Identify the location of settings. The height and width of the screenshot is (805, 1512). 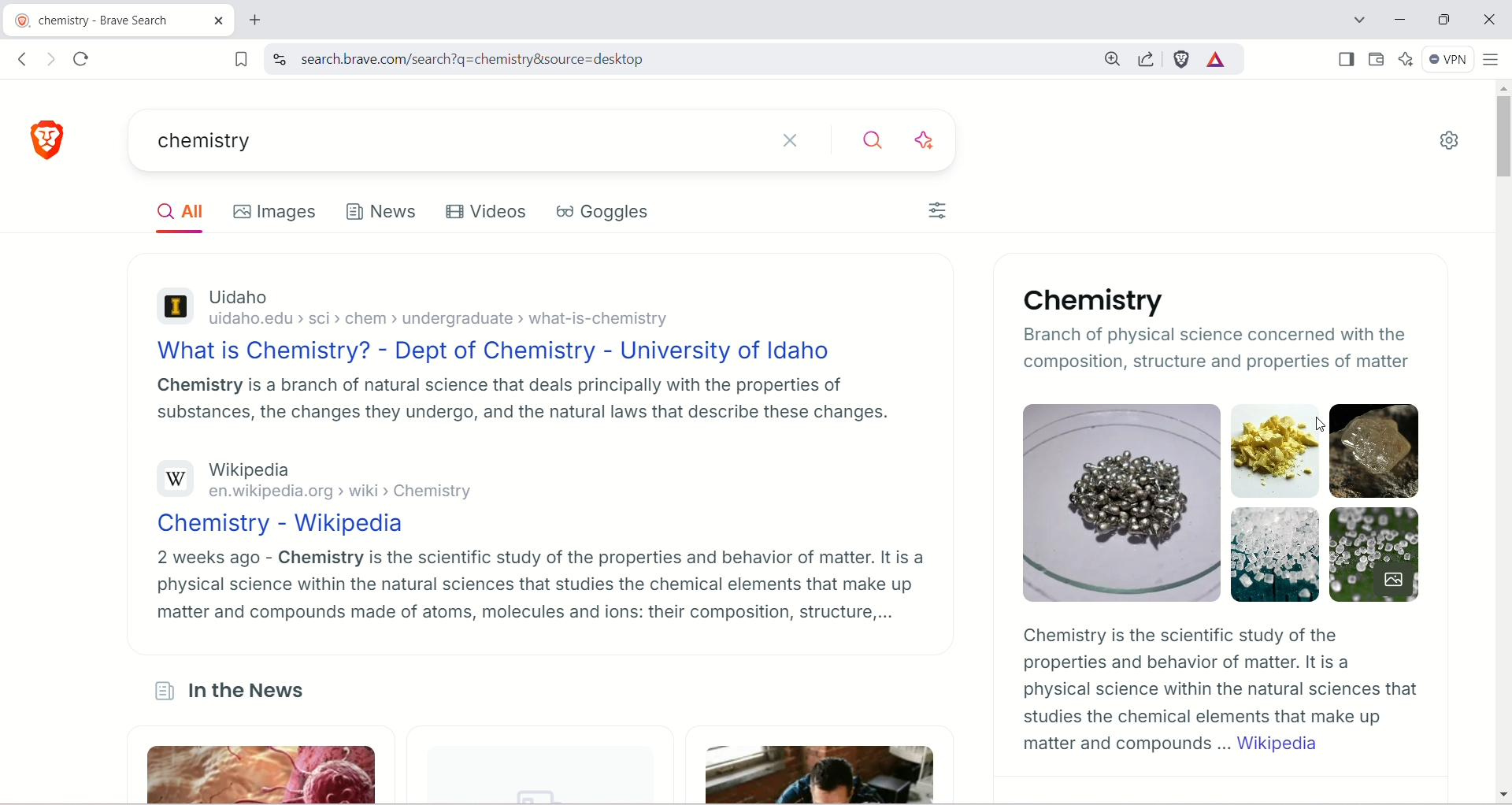
(1451, 137).